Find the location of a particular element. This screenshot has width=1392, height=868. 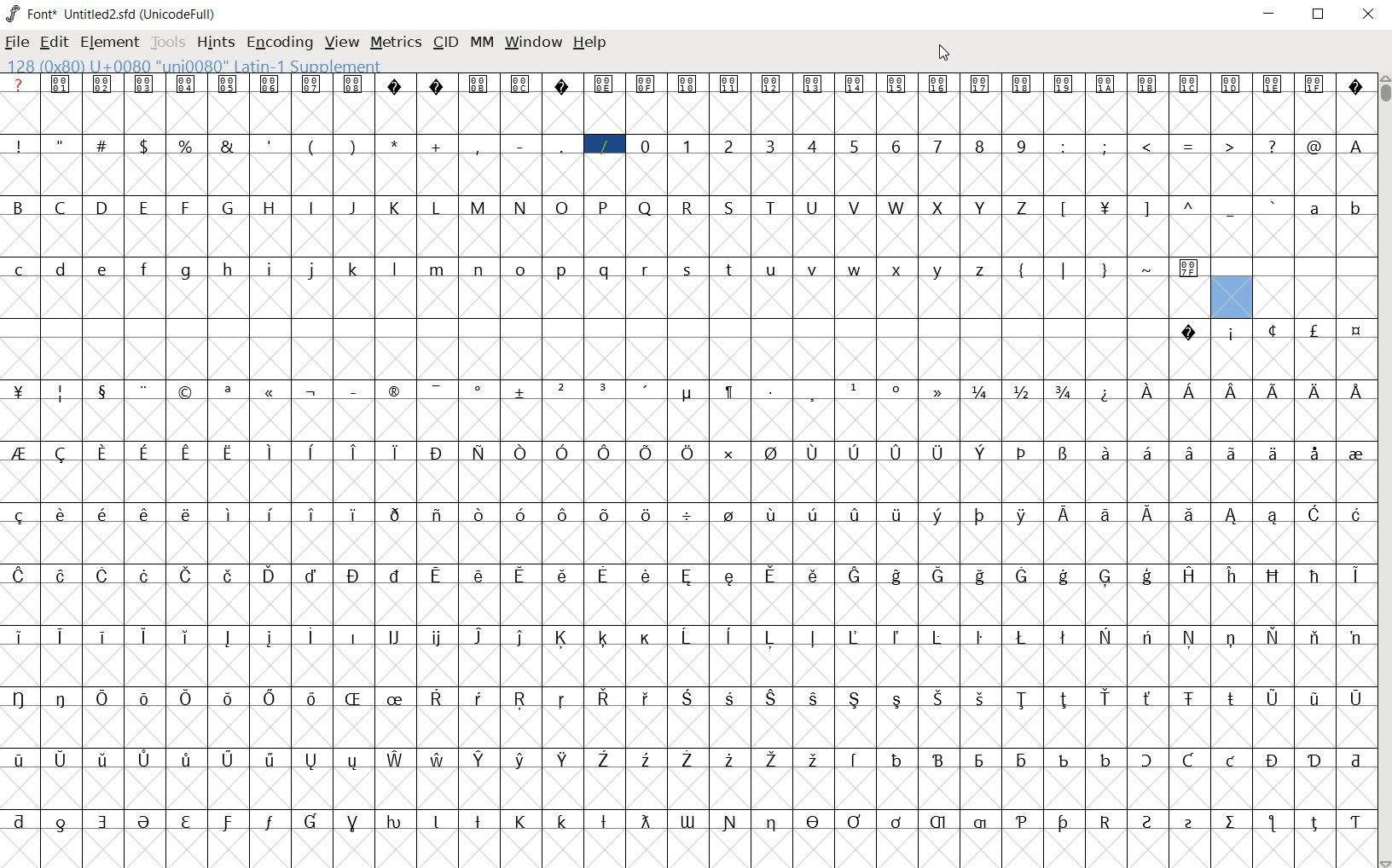

glyph is located at coordinates (1105, 271).